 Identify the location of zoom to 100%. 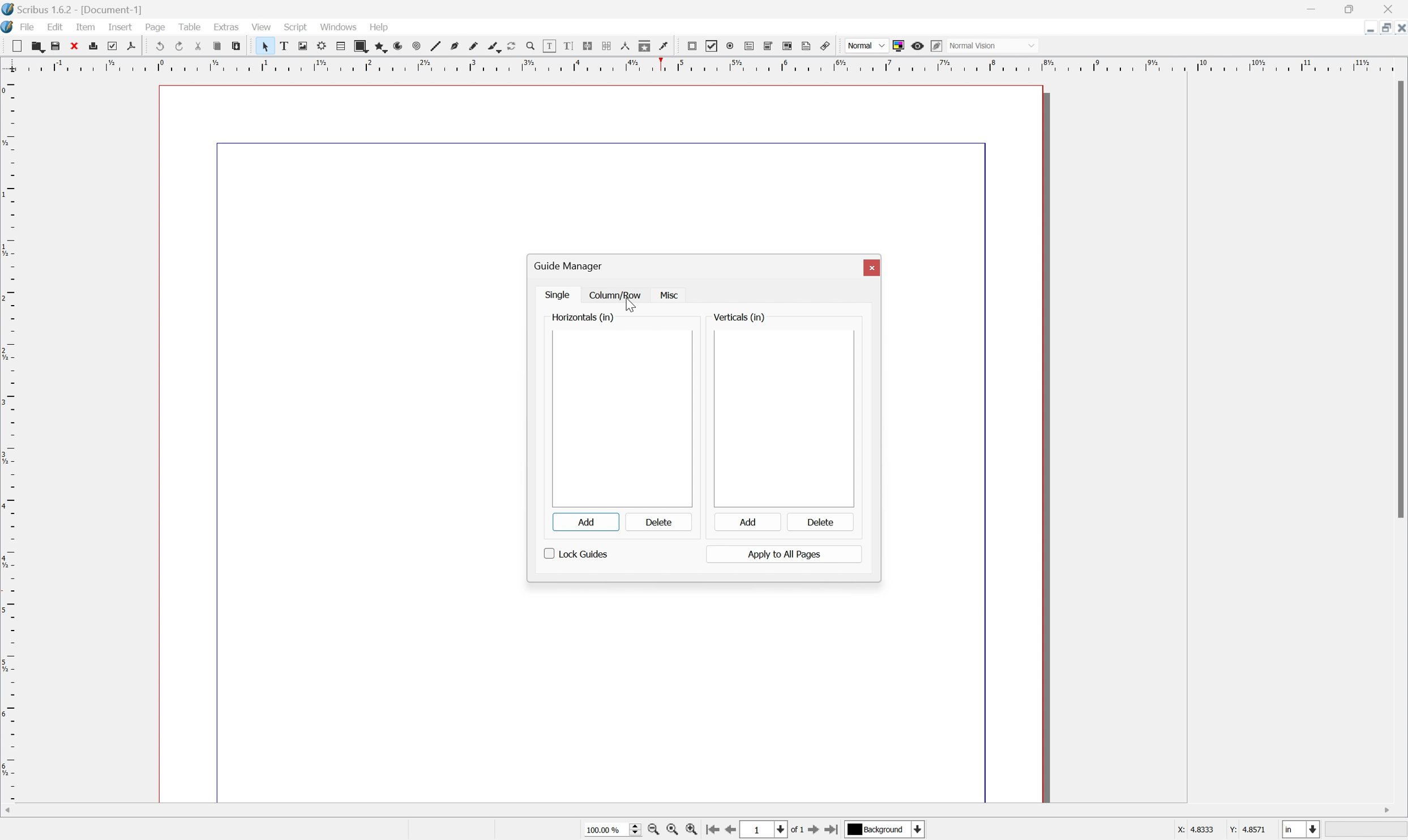
(652, 830).